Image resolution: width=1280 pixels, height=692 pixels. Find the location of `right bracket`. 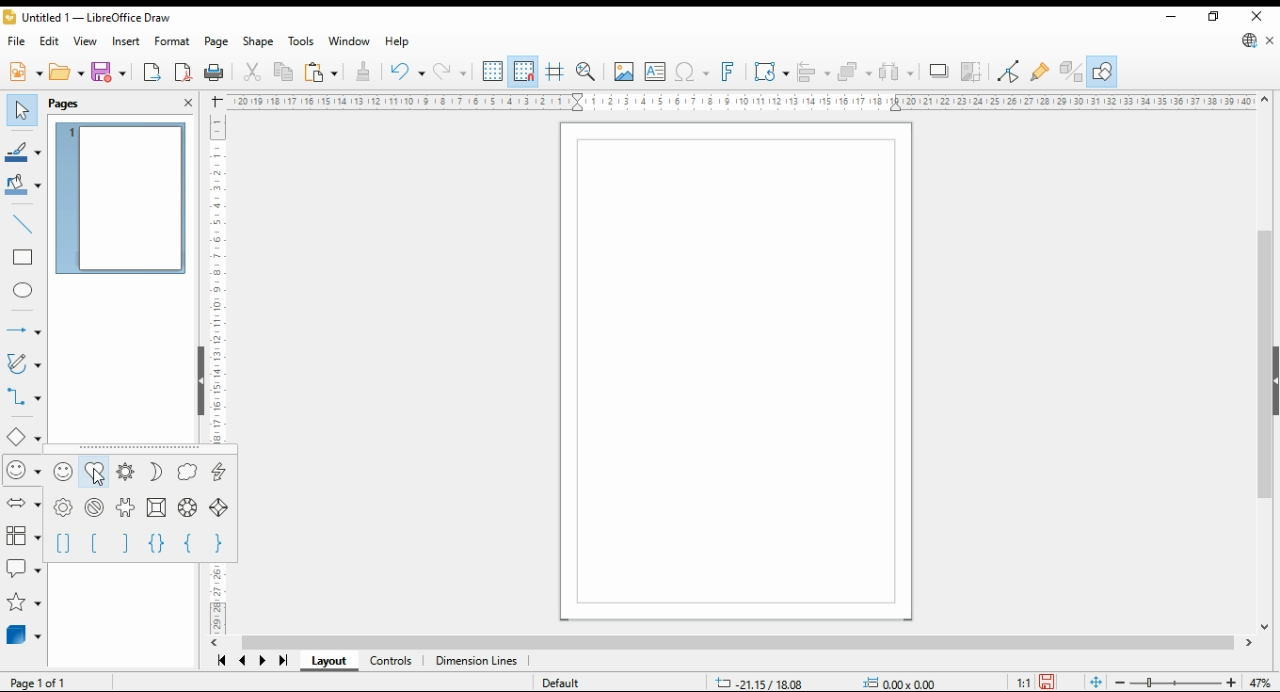

right bracket is located at coordinates (125, 543).